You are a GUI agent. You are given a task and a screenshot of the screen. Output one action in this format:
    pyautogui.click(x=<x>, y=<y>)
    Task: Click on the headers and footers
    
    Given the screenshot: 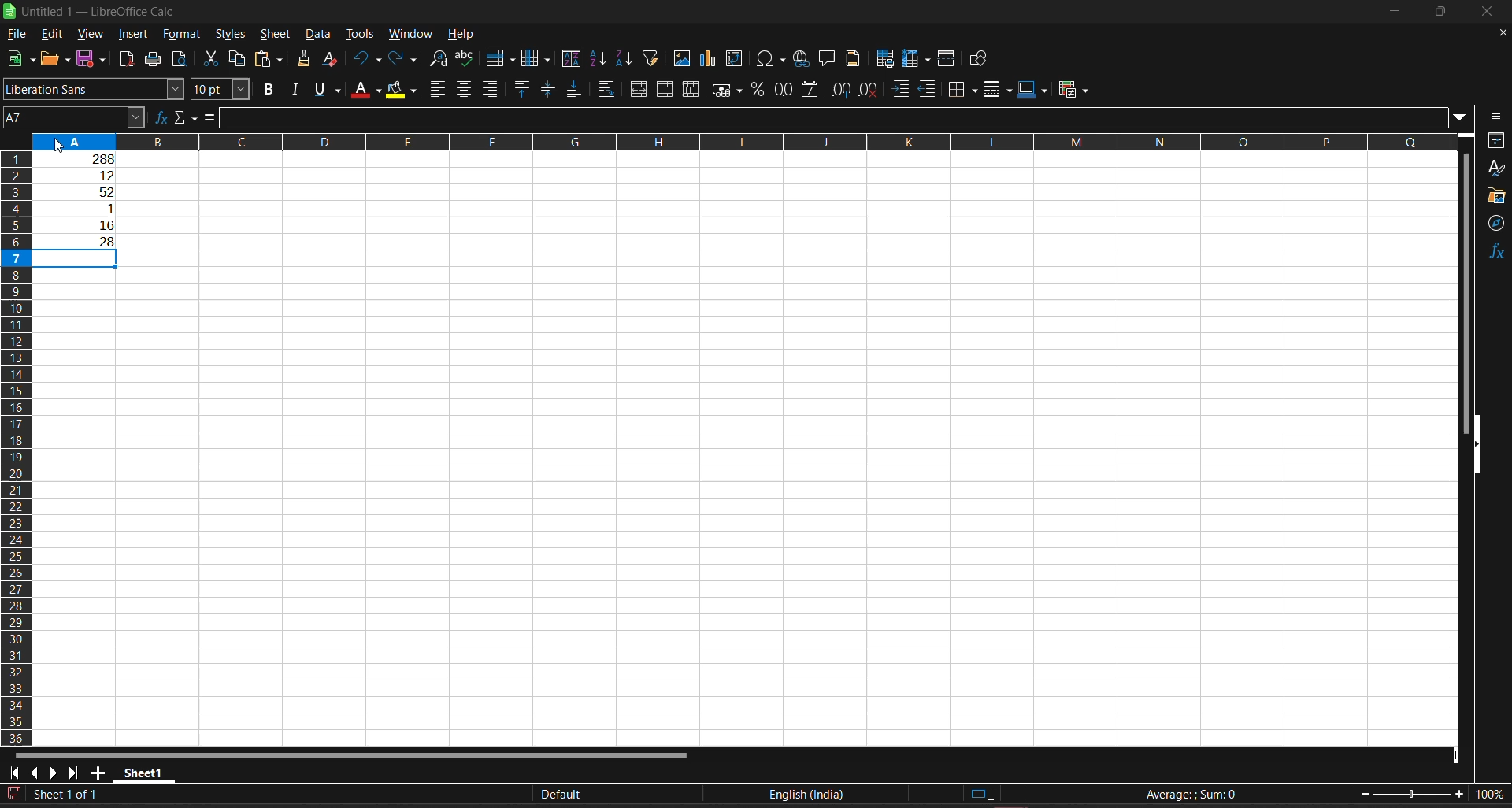 What is the action you would take?
    pyautogui.click(x=854, y=59)
    